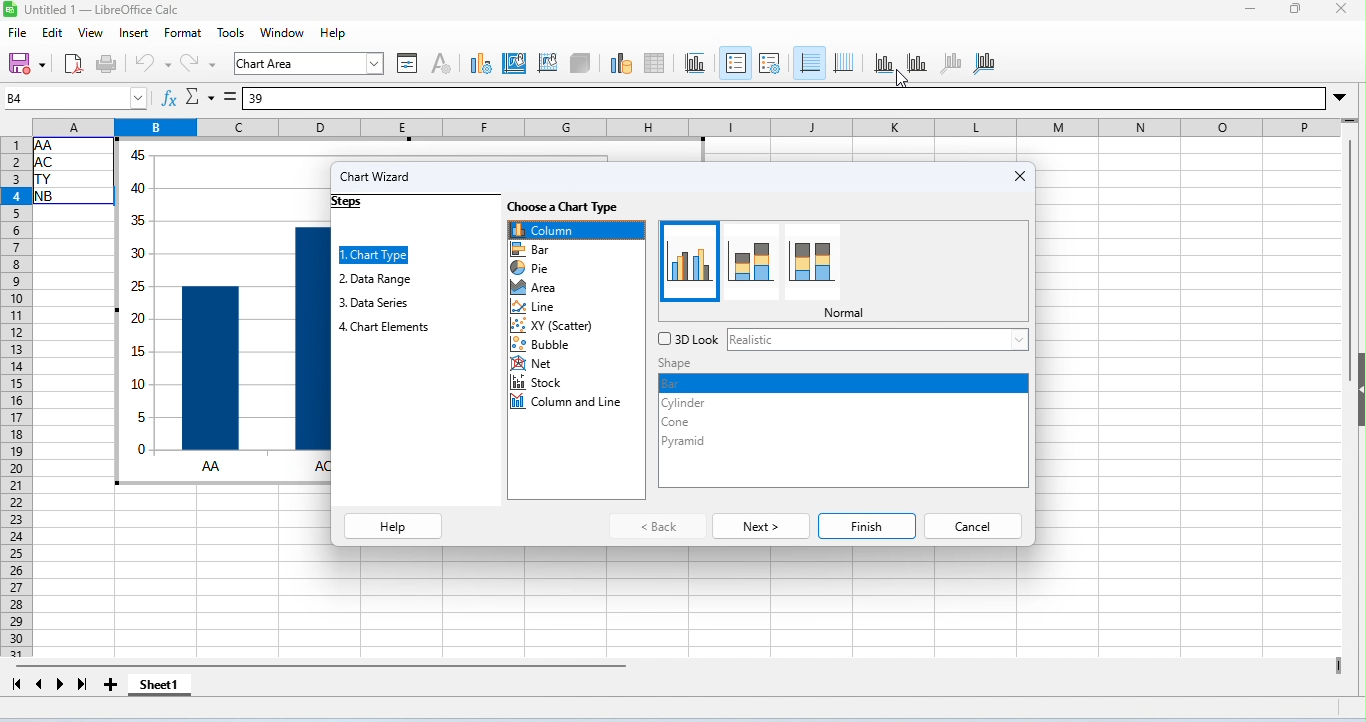 The image size is (1366, 722). I want to click on legend, so click(771, 64).